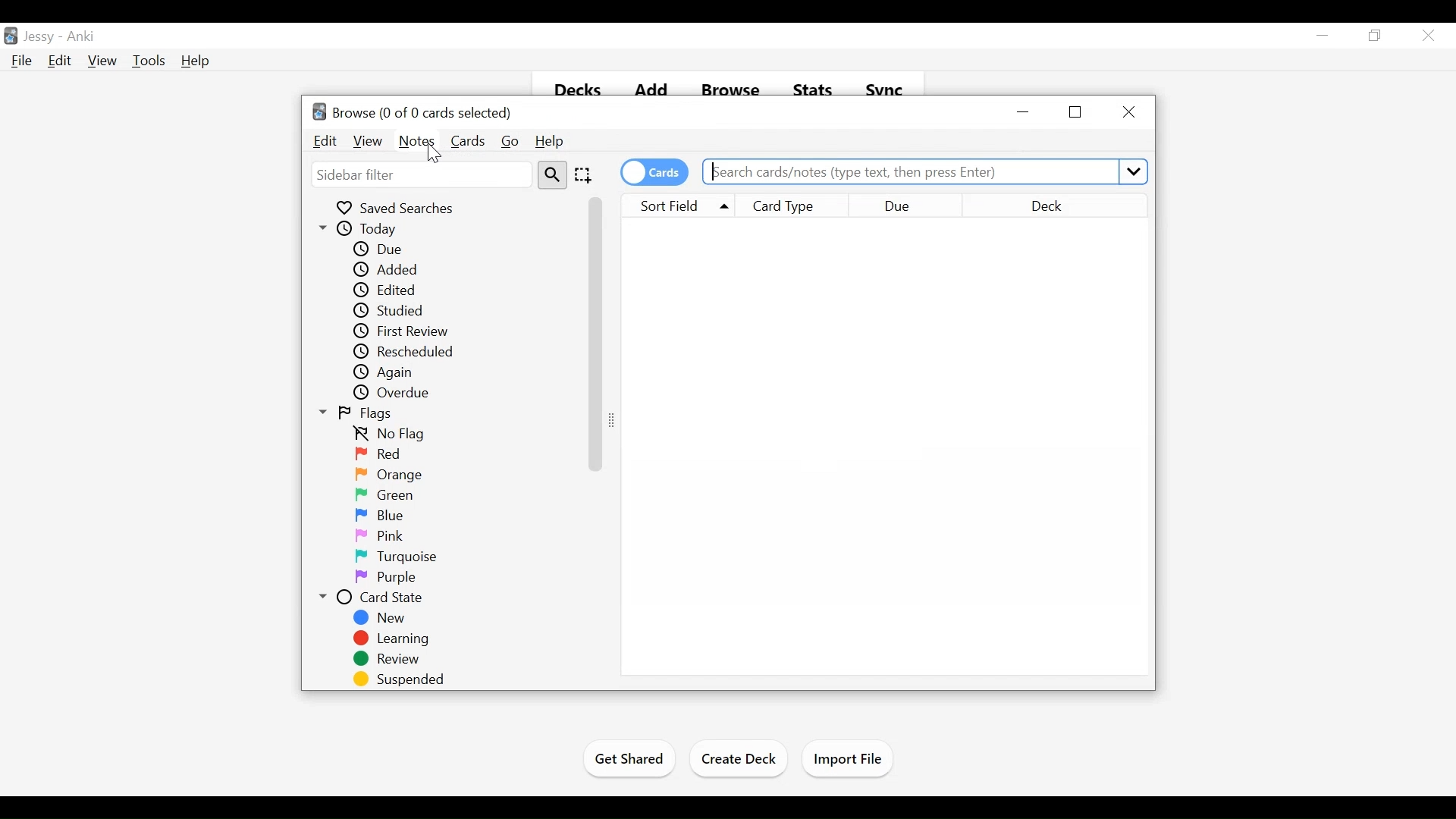 This screenshot has width=1456, height=819. Describe the element at coordinates (380, 455) in the screenshot. I see `Red` at that location.